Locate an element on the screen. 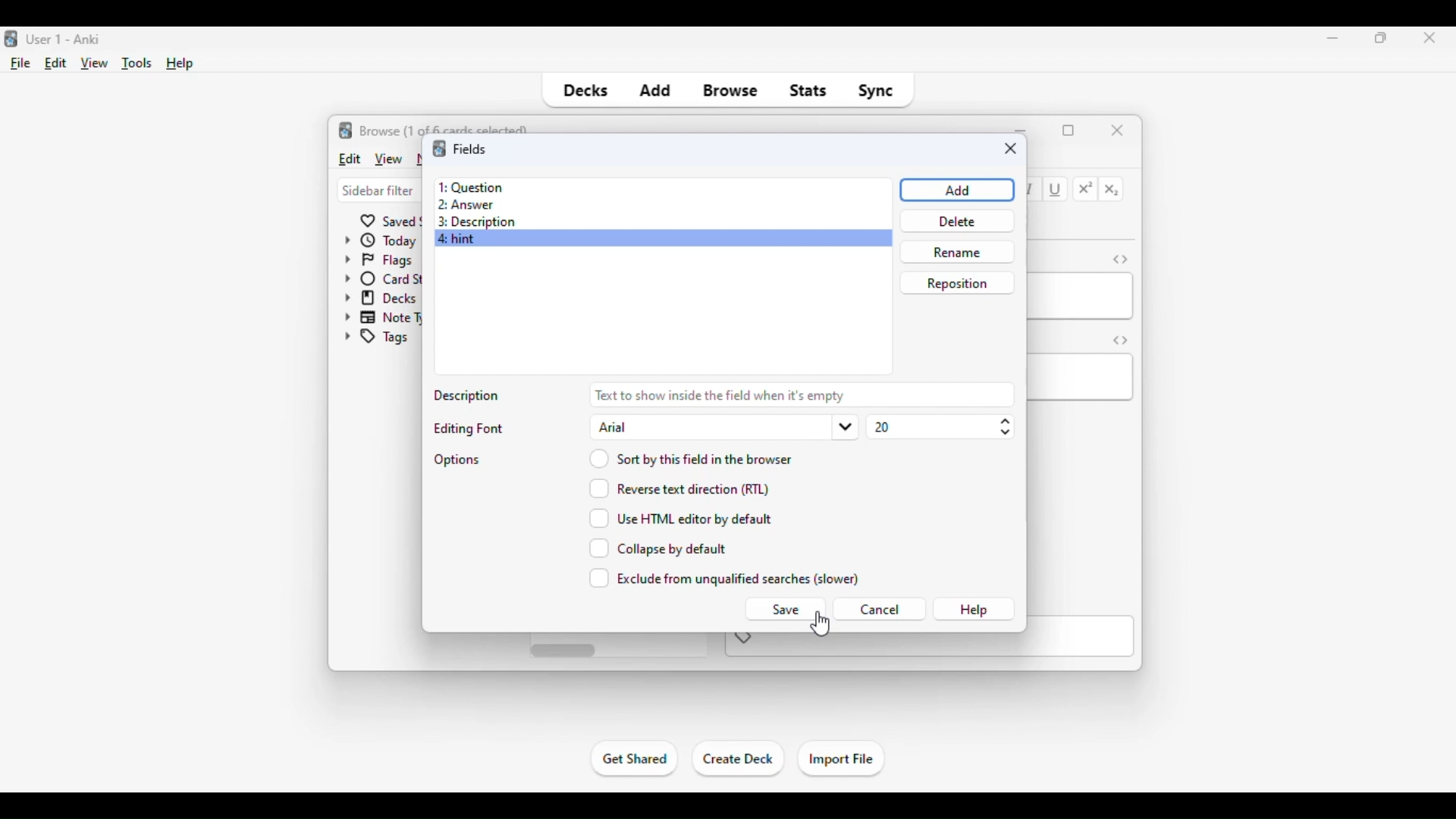 This screenshot has height=819, width=1456. edit is located at coordinates (349, 158).